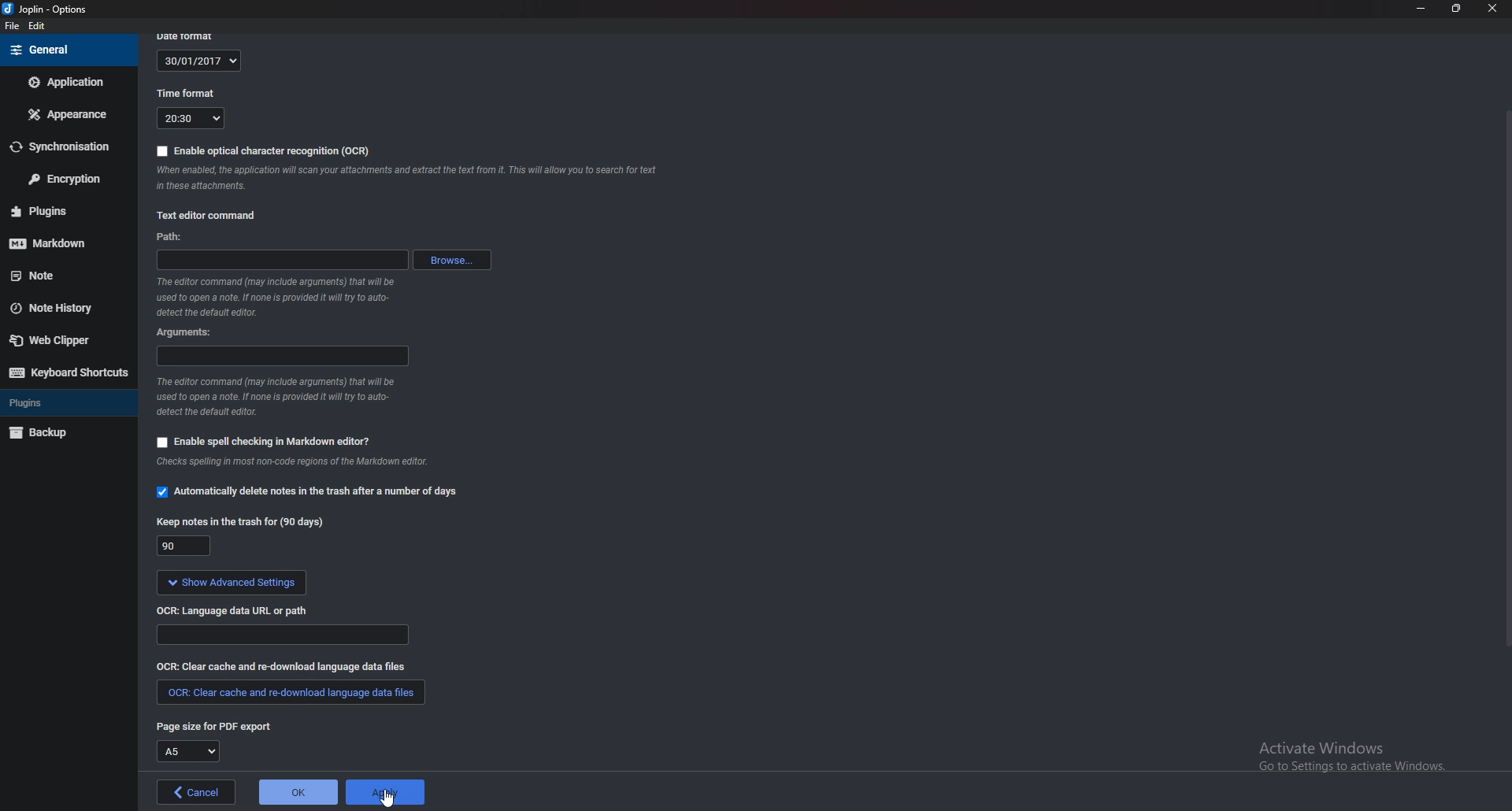 The image size is (1512, 811). What do you see at coordinates (65, 115) in the screenshot?
I see `Appearance` at bounding box center [65, 115].